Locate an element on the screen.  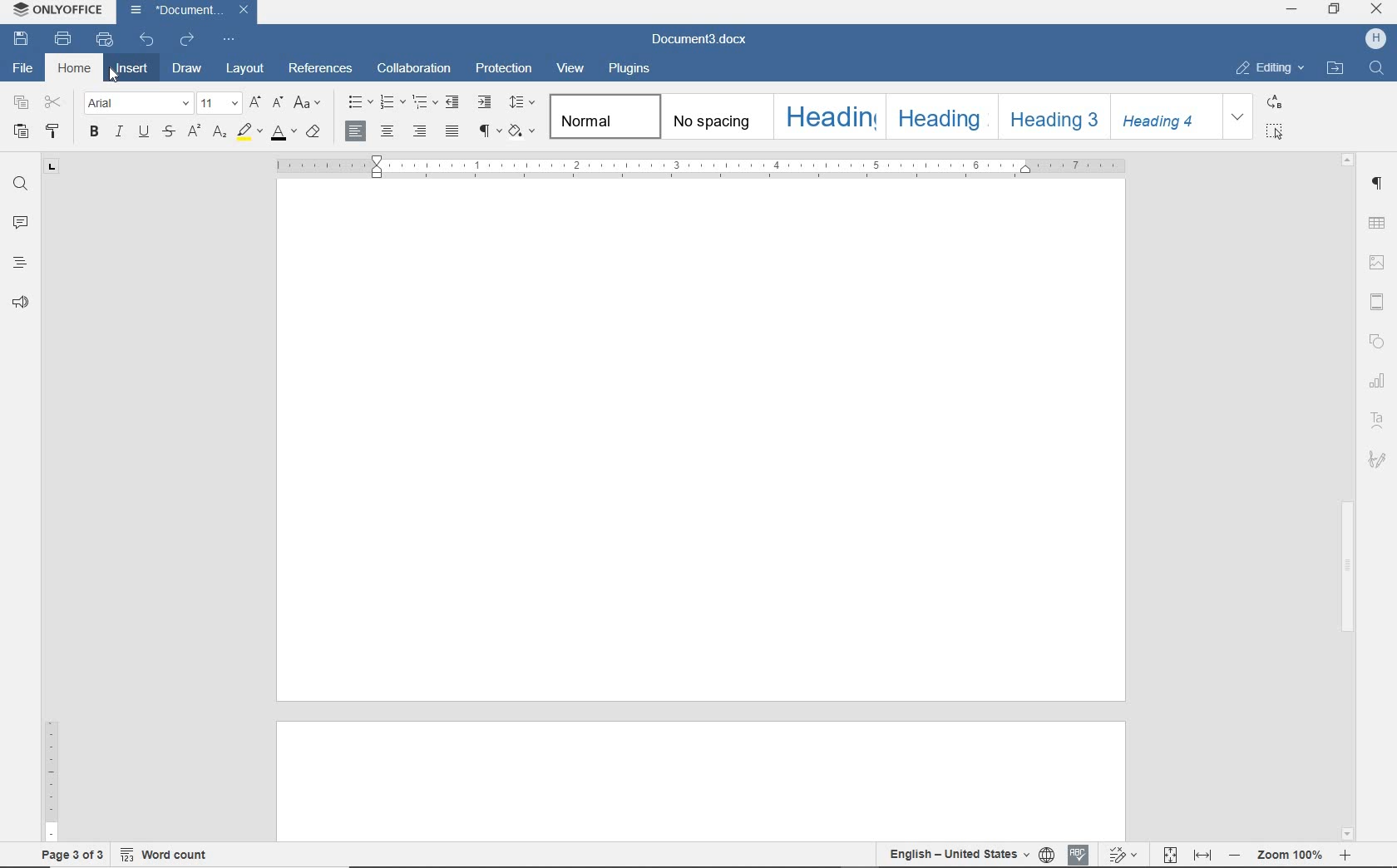
TEXT LANGUAGE is located at coordinates (958, 855).